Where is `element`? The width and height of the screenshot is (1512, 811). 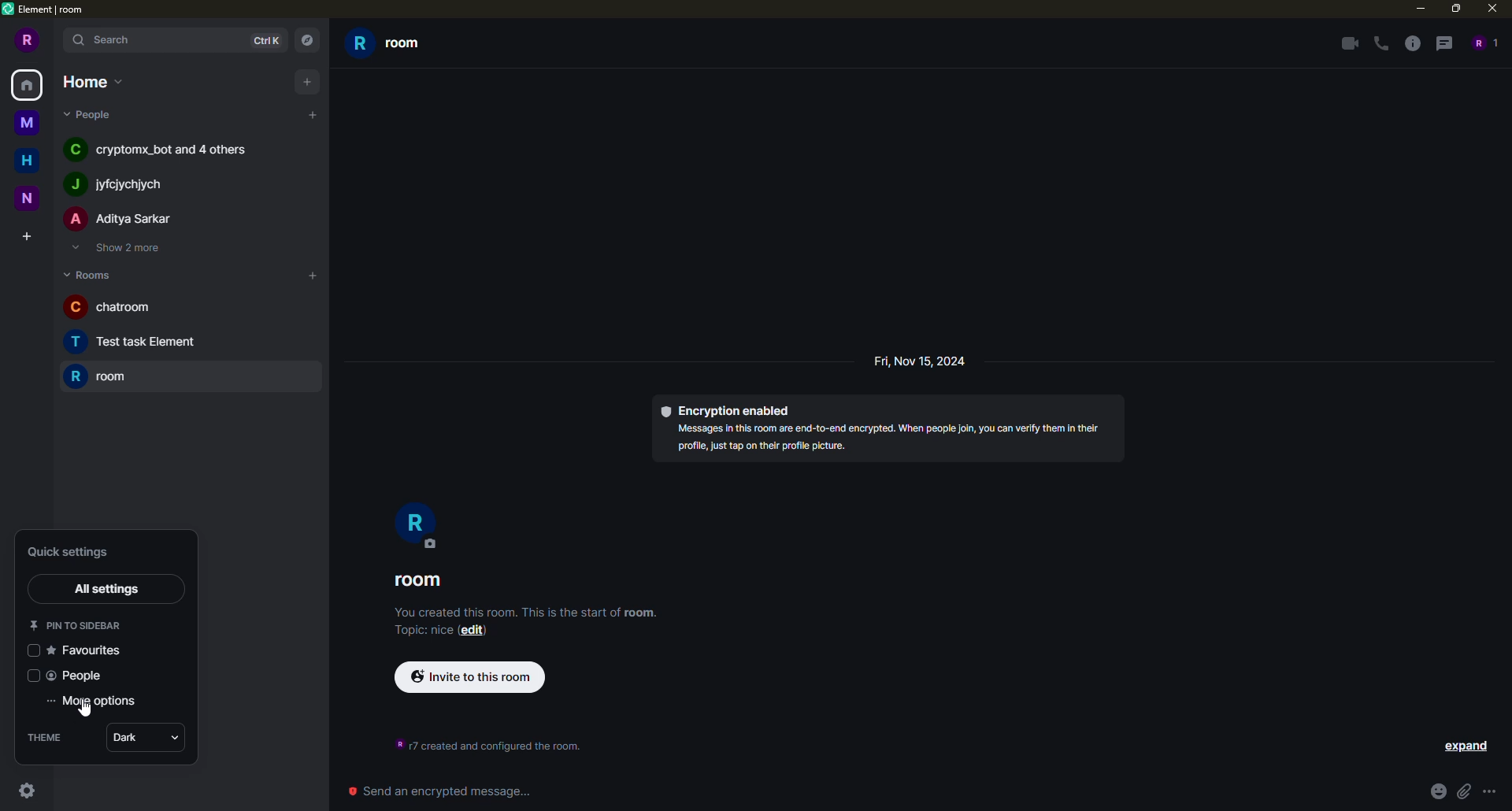
element is located at coordinates (45, 11).